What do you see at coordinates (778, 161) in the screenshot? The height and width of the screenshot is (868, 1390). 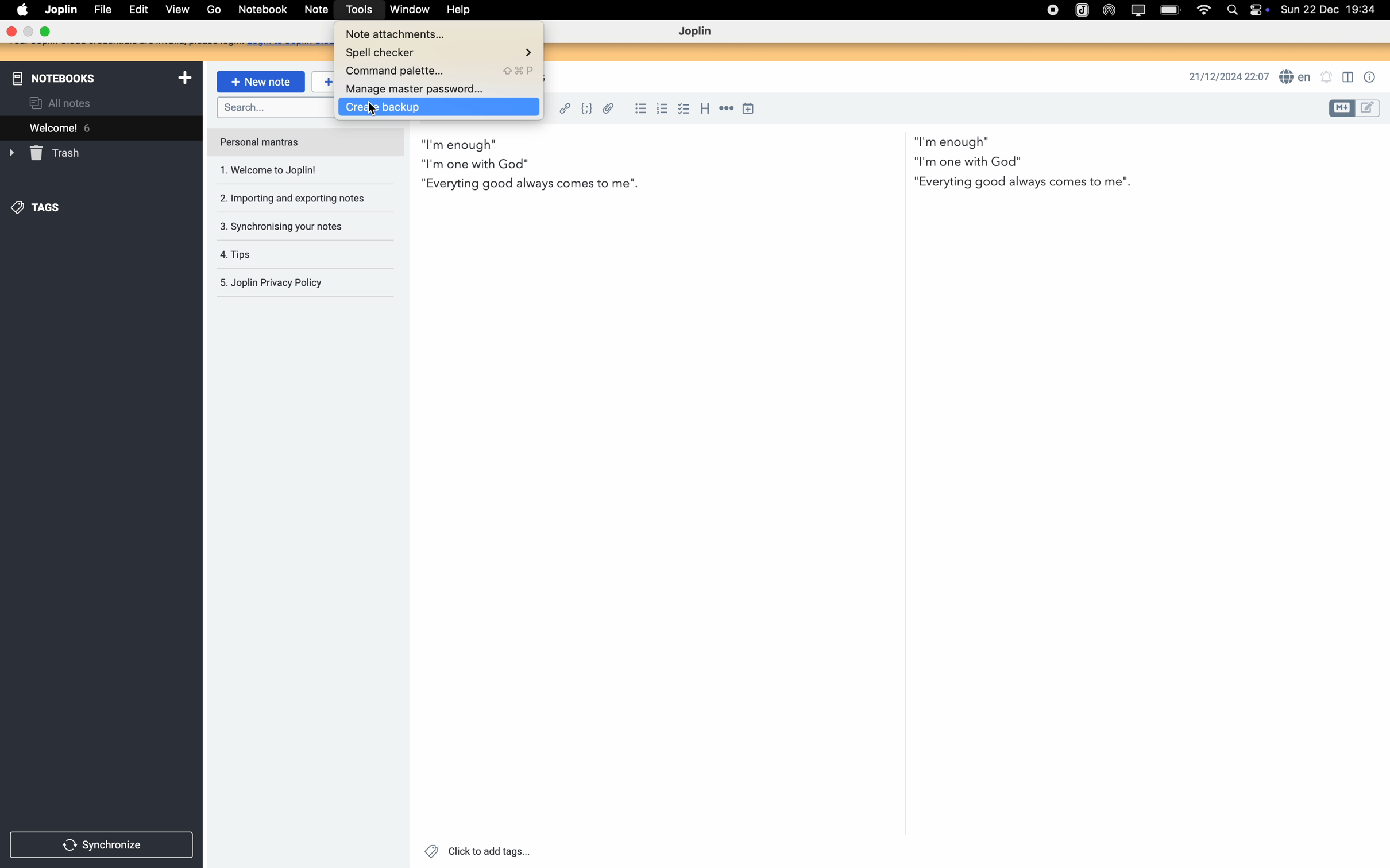 I see `body text` at bounding box center [778, 161].